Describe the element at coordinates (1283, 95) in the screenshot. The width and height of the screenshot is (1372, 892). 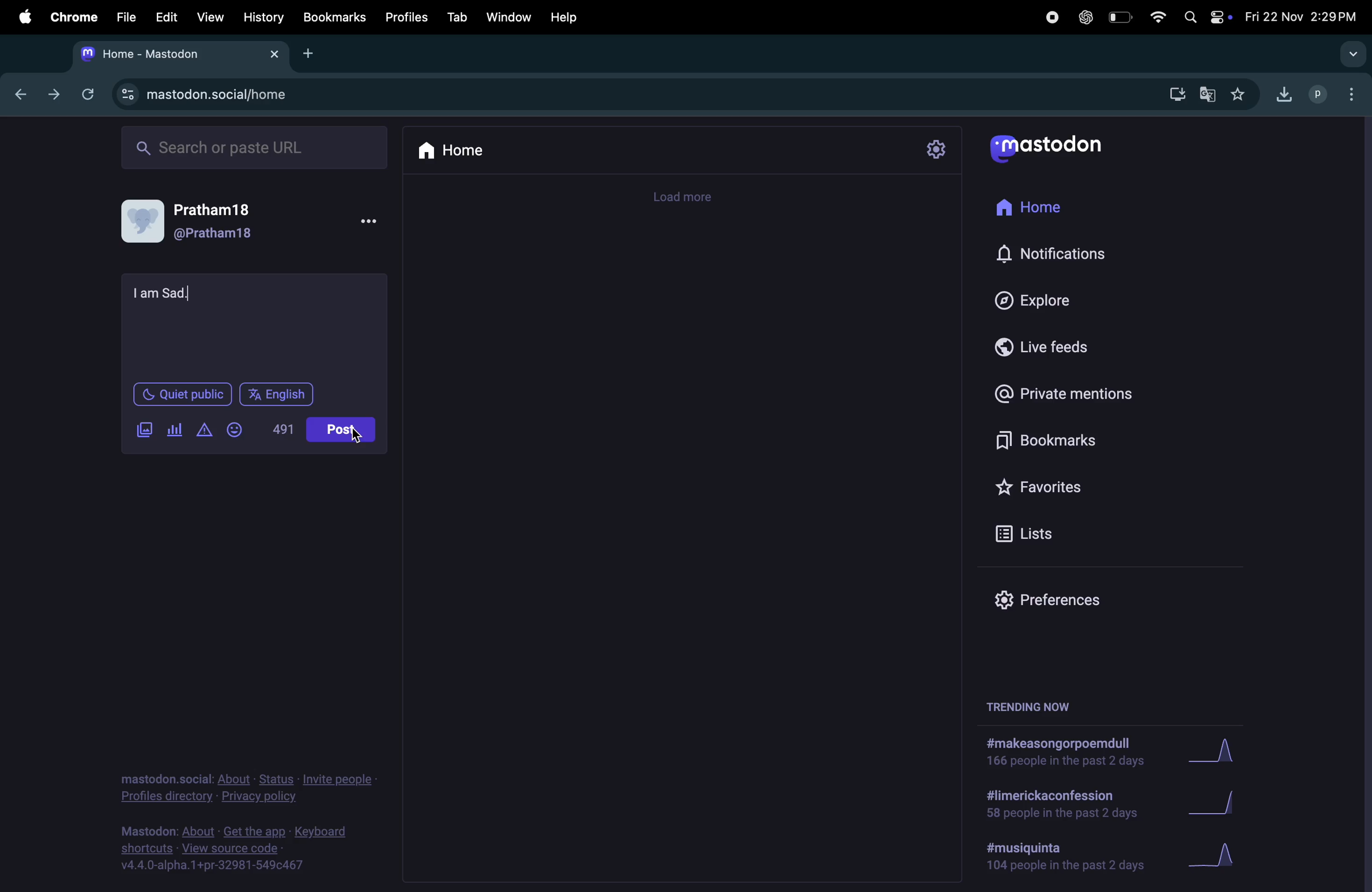
I see `downloads` at that location.